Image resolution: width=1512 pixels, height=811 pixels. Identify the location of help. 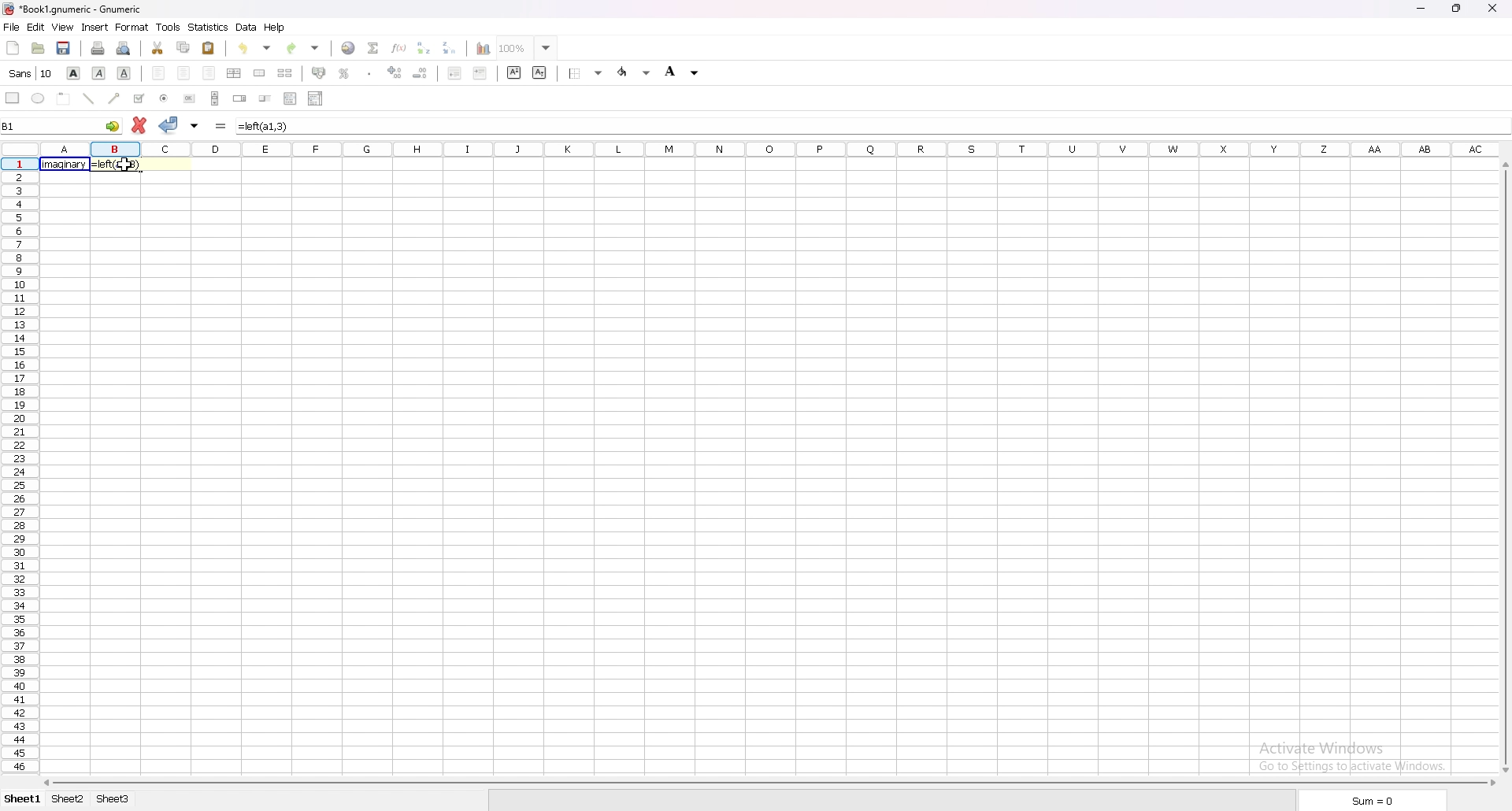
(275, 28).